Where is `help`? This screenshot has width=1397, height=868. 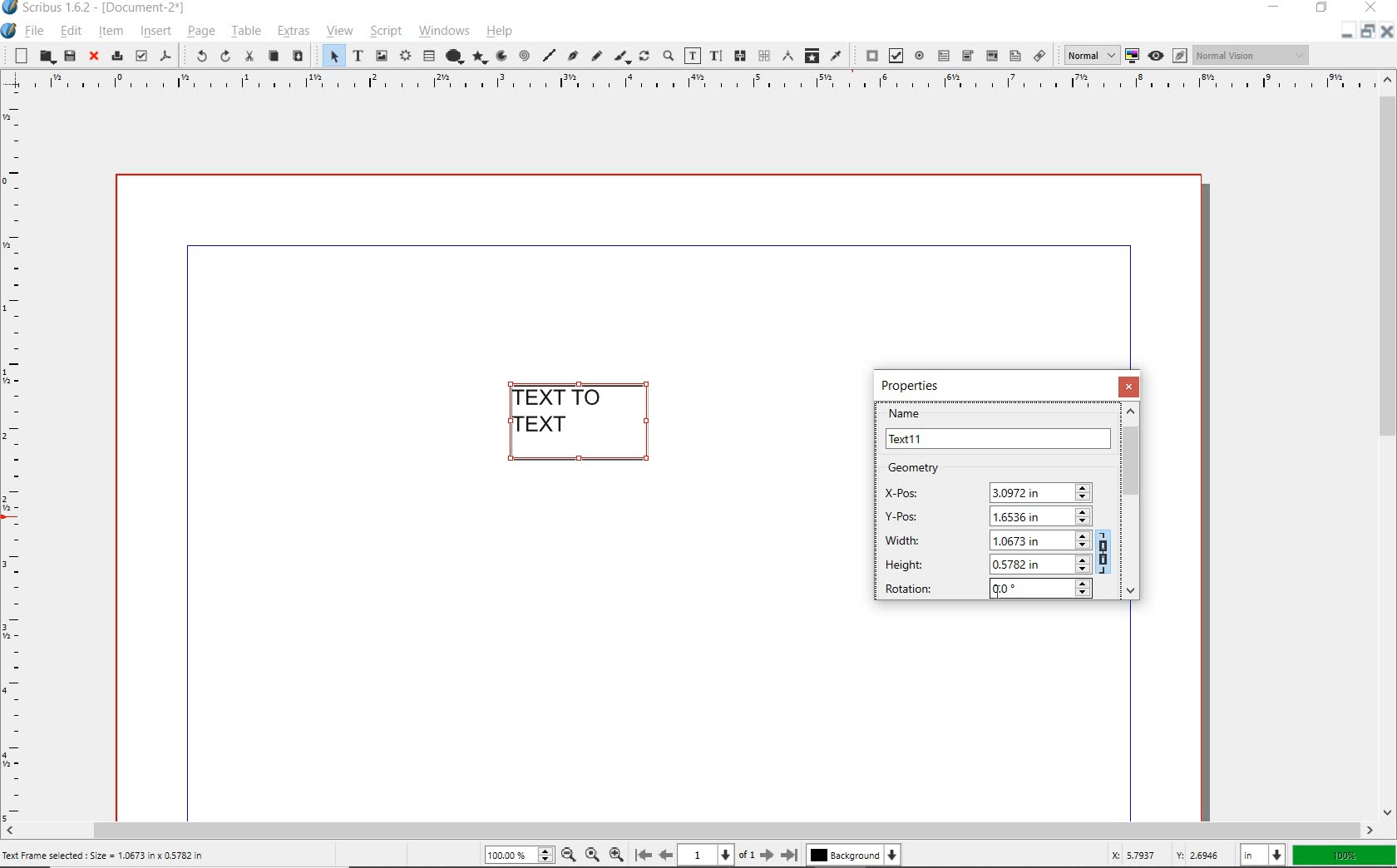 help is located at coordinates (499, 33).